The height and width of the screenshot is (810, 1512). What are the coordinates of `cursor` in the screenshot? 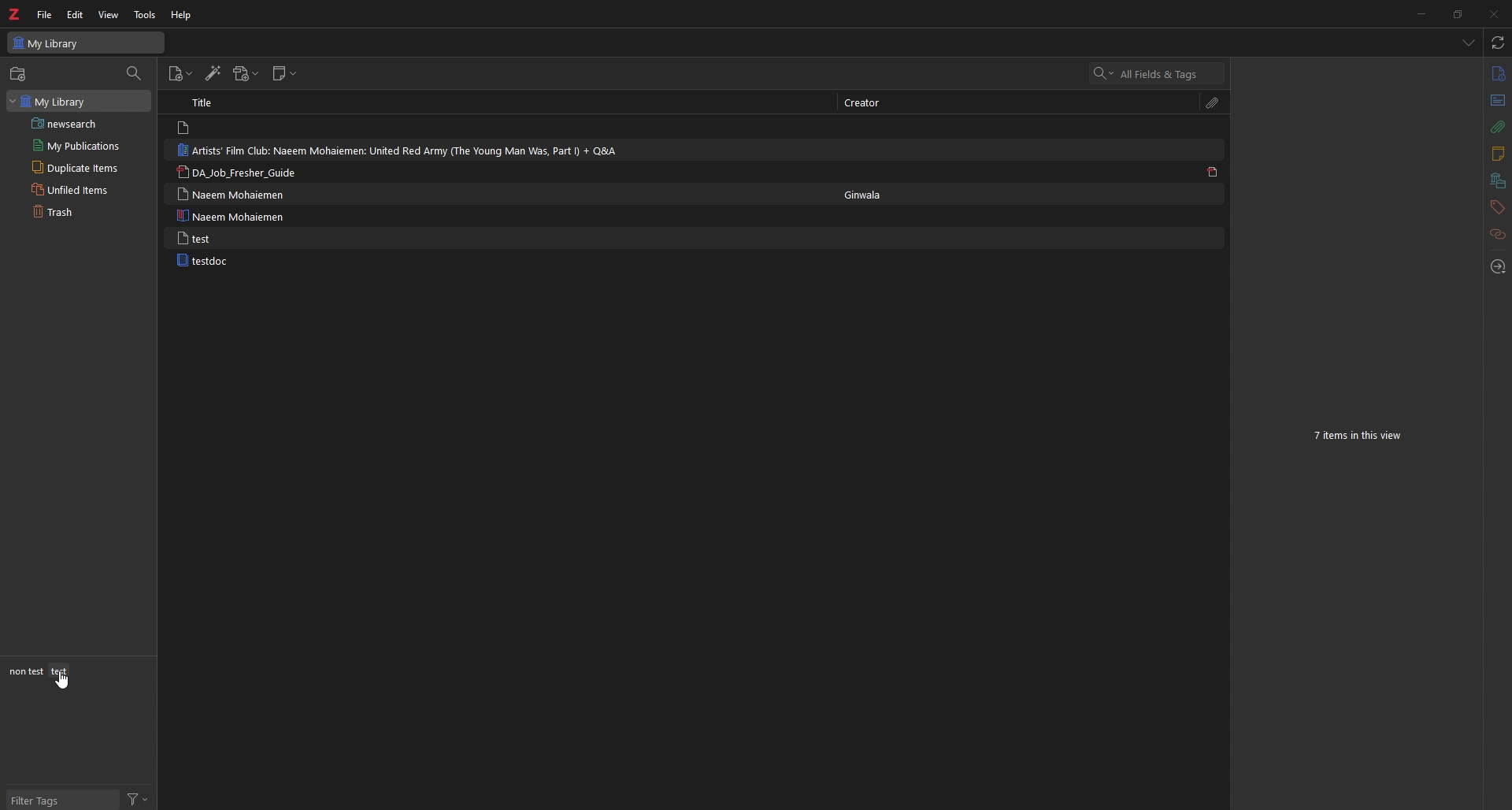 It's located at (63, 682).